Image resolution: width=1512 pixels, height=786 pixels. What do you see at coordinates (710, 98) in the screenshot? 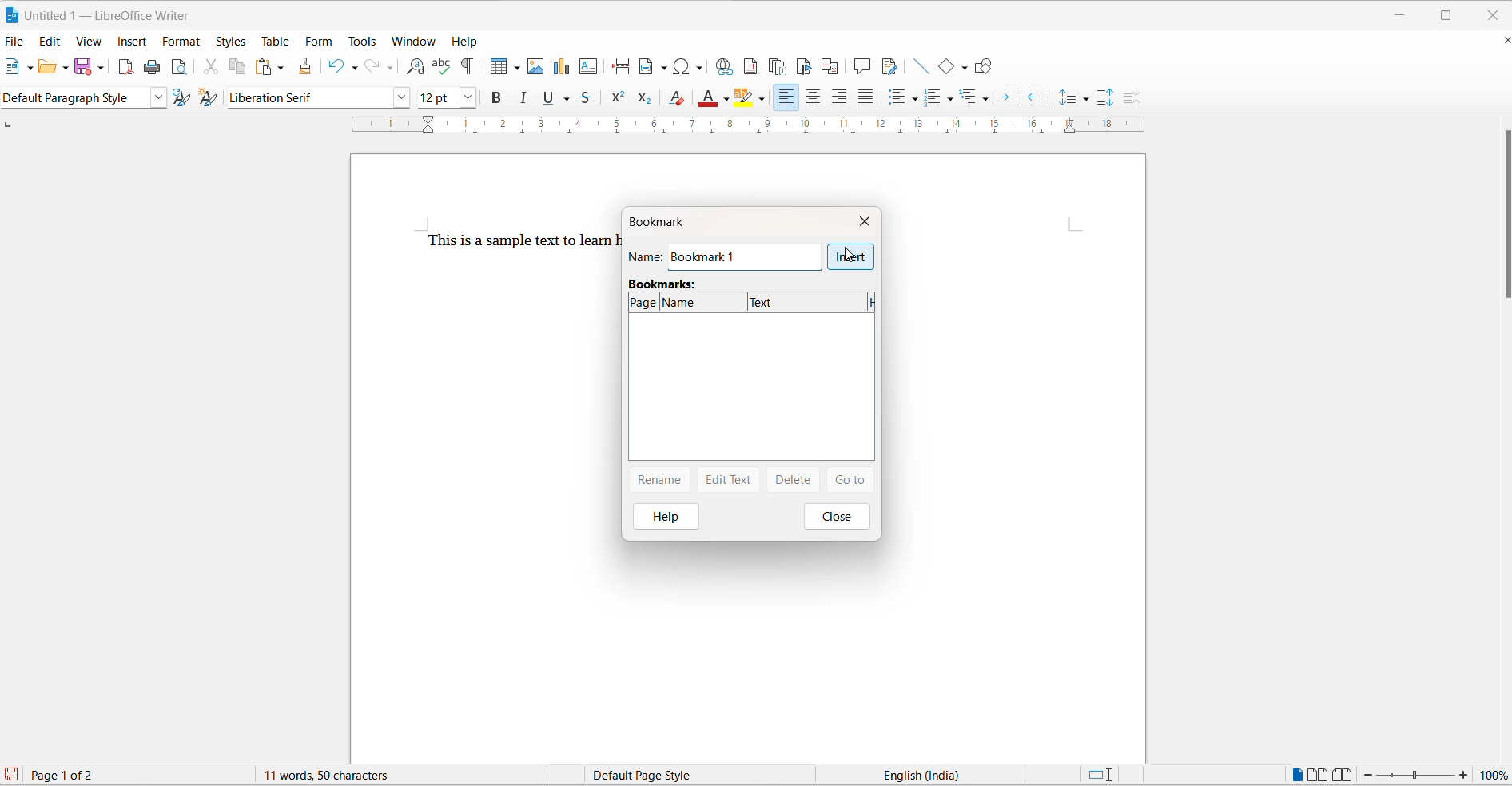
I see `font color` at bounding box center [710, 98].